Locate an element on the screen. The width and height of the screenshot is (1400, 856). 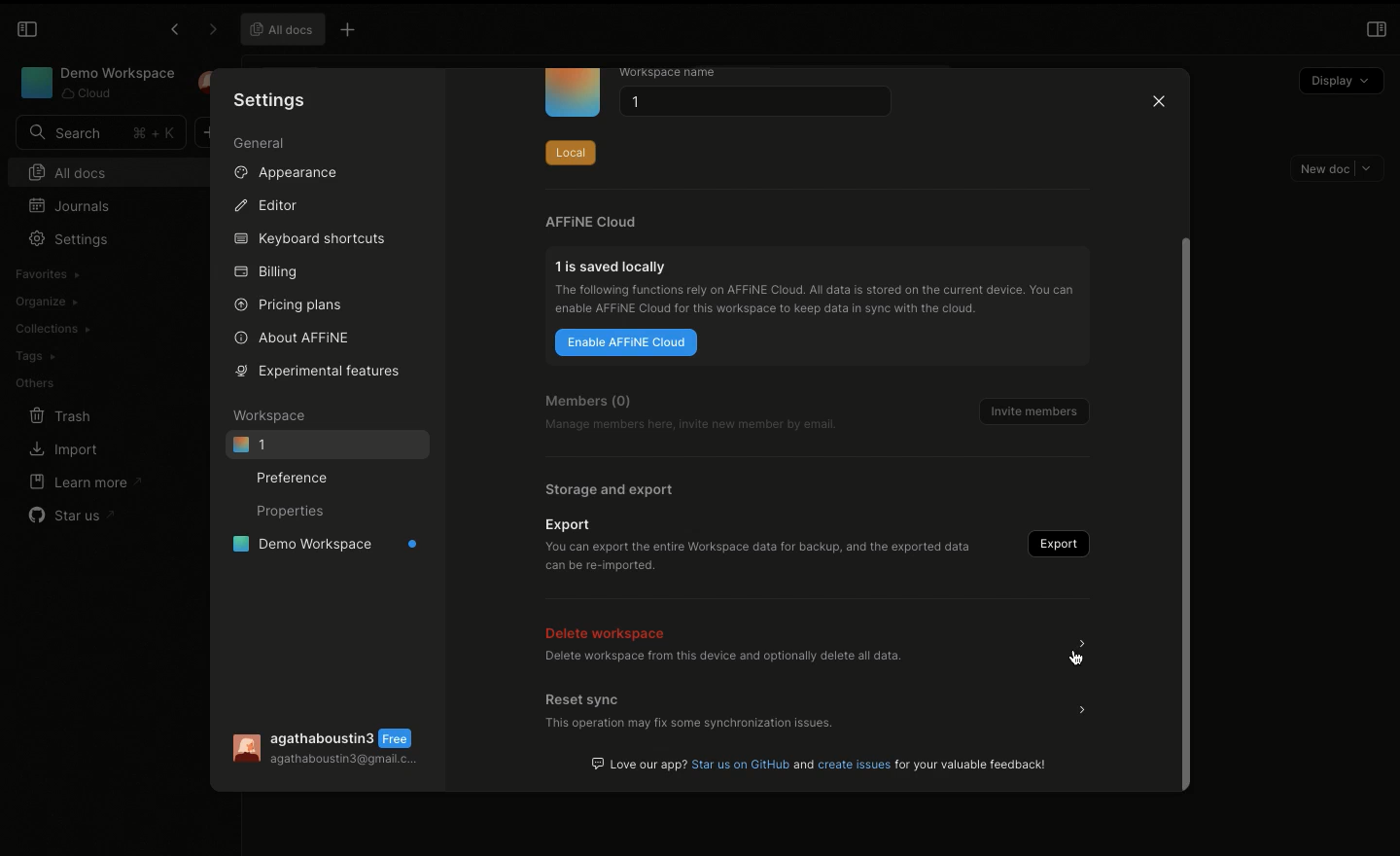
Trash is located at coordinates (62, 415).